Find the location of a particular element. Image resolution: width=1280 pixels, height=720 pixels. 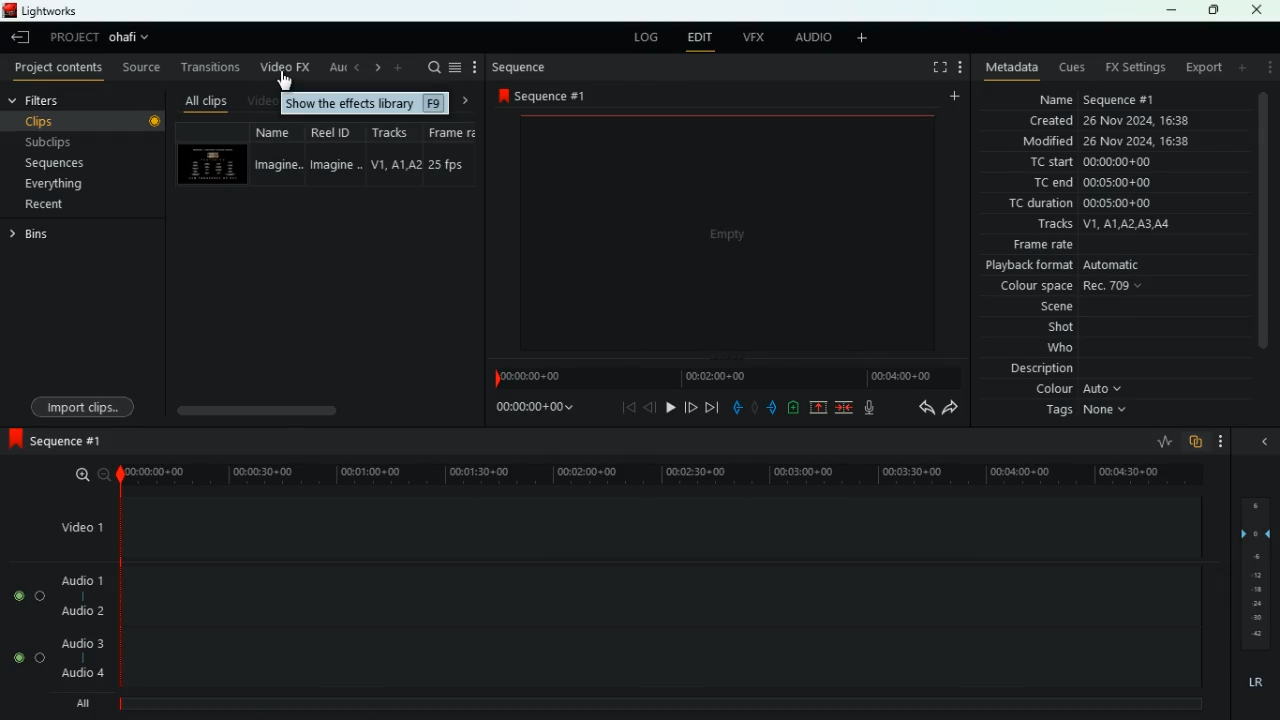

edit is located at coordinates (701, 38).